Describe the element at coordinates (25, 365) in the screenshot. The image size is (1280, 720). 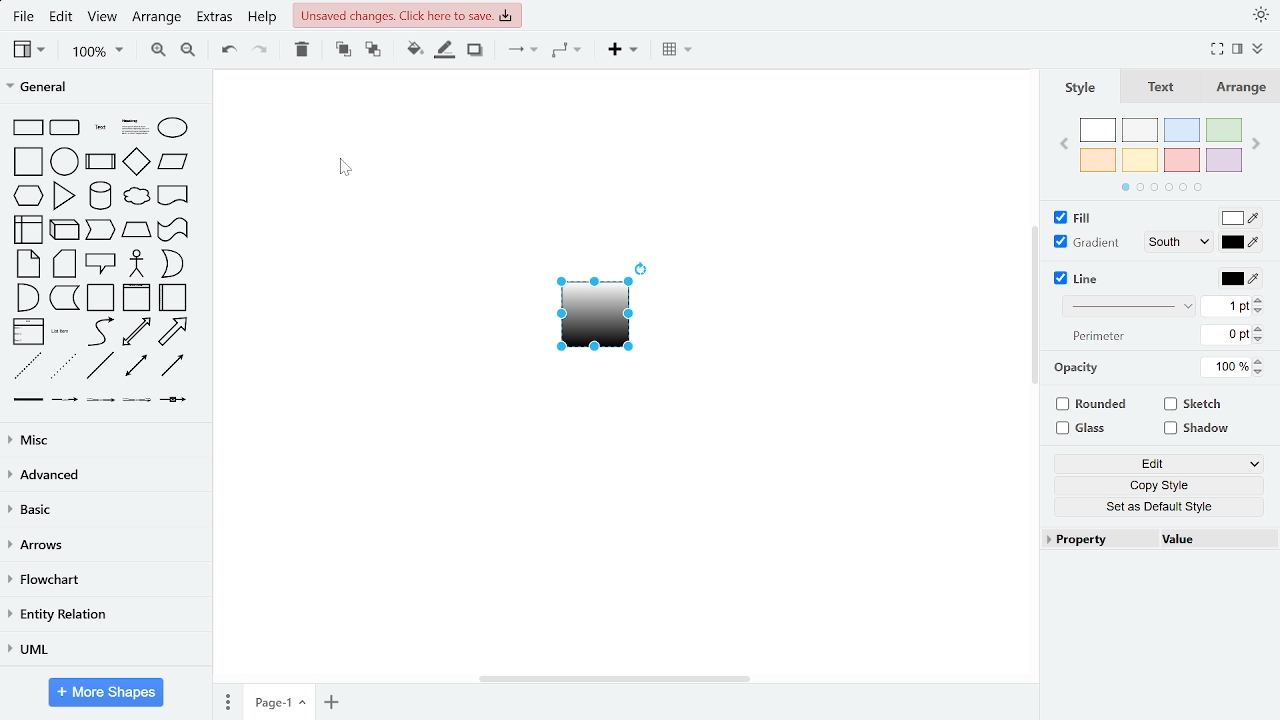
I see `general shapes` at that location.